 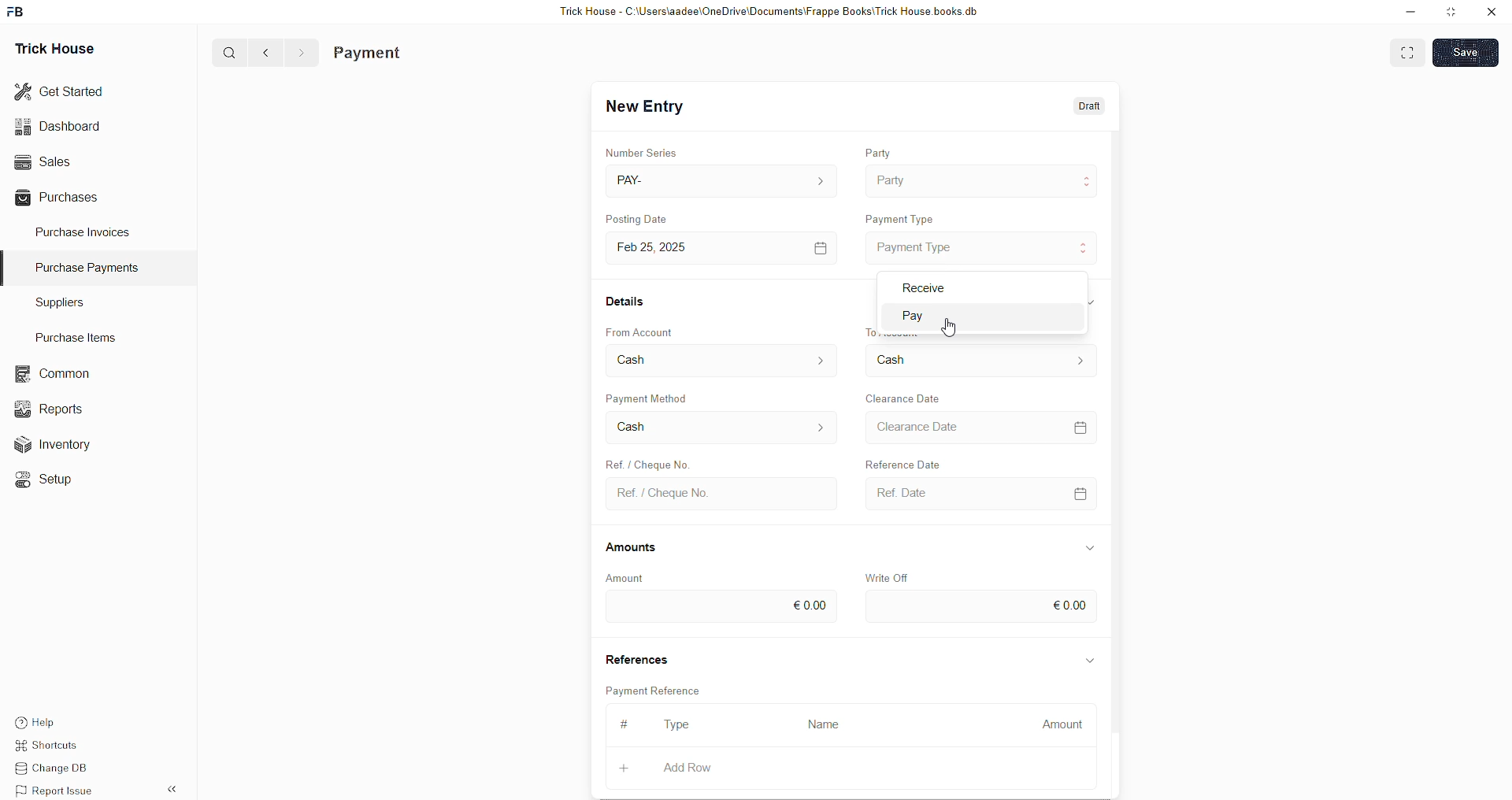 What do you see at coordinates (895, 492) in the screenshot?
I see `Ref Date` at bounding box center [895, 492].